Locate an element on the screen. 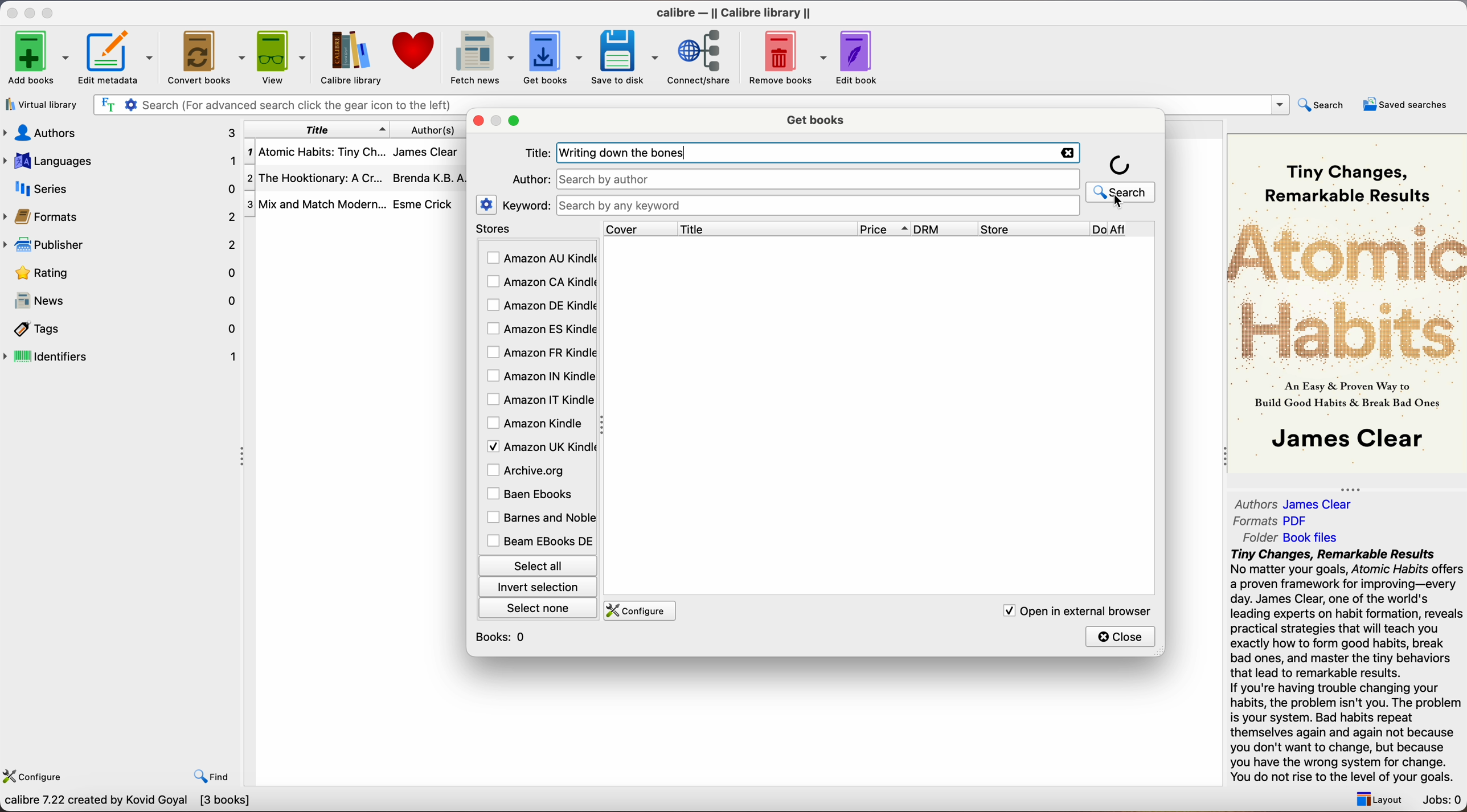 This screenshot has width=1467, height=812. Writing down the bones is located at coordinates (629, 153).